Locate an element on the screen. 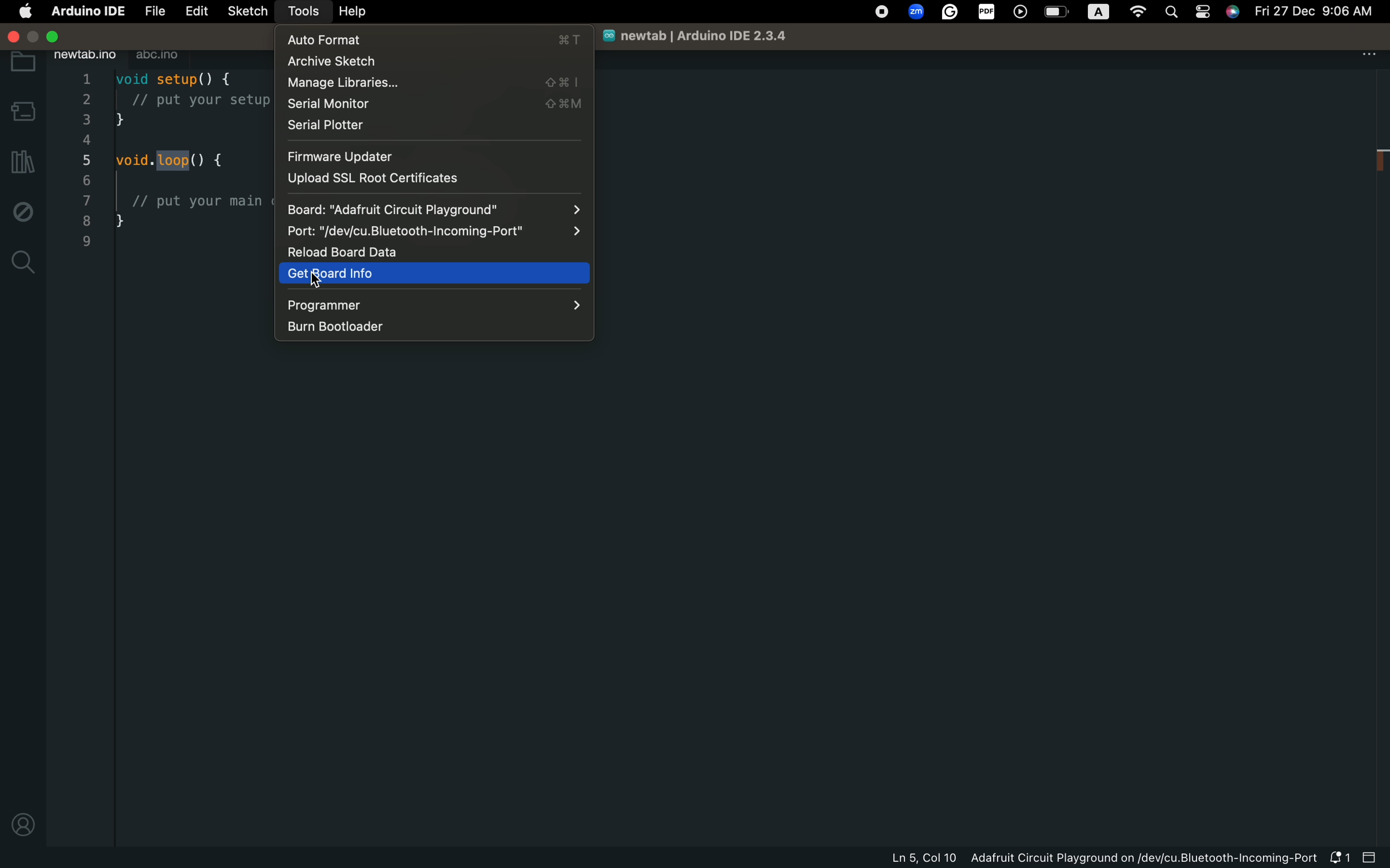 The height and width of the screenshot is (868, 1390). serial monitor is located at coordinates (435, 104).